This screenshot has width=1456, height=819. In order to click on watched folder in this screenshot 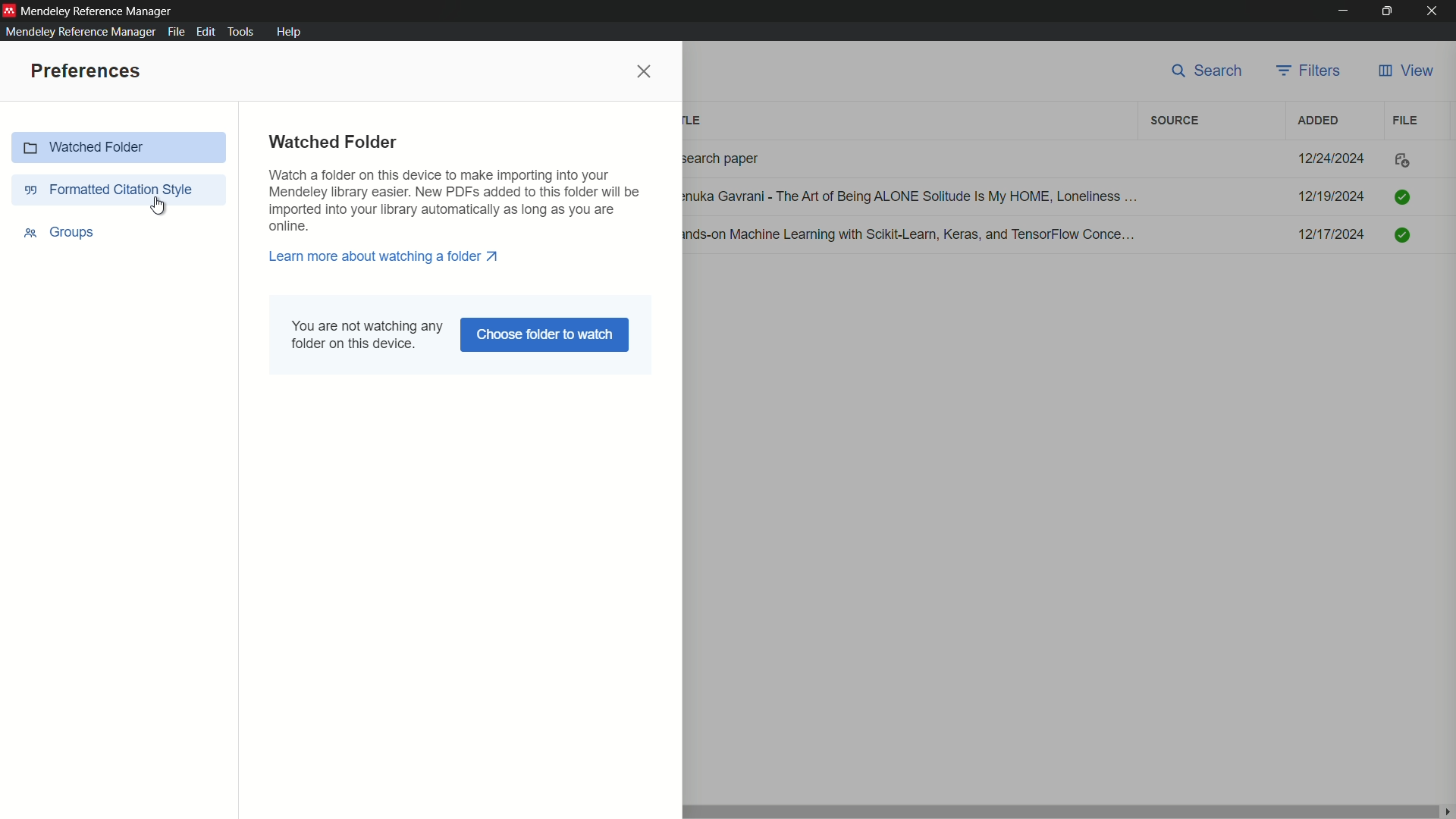, I will do `click(333, 142)`.